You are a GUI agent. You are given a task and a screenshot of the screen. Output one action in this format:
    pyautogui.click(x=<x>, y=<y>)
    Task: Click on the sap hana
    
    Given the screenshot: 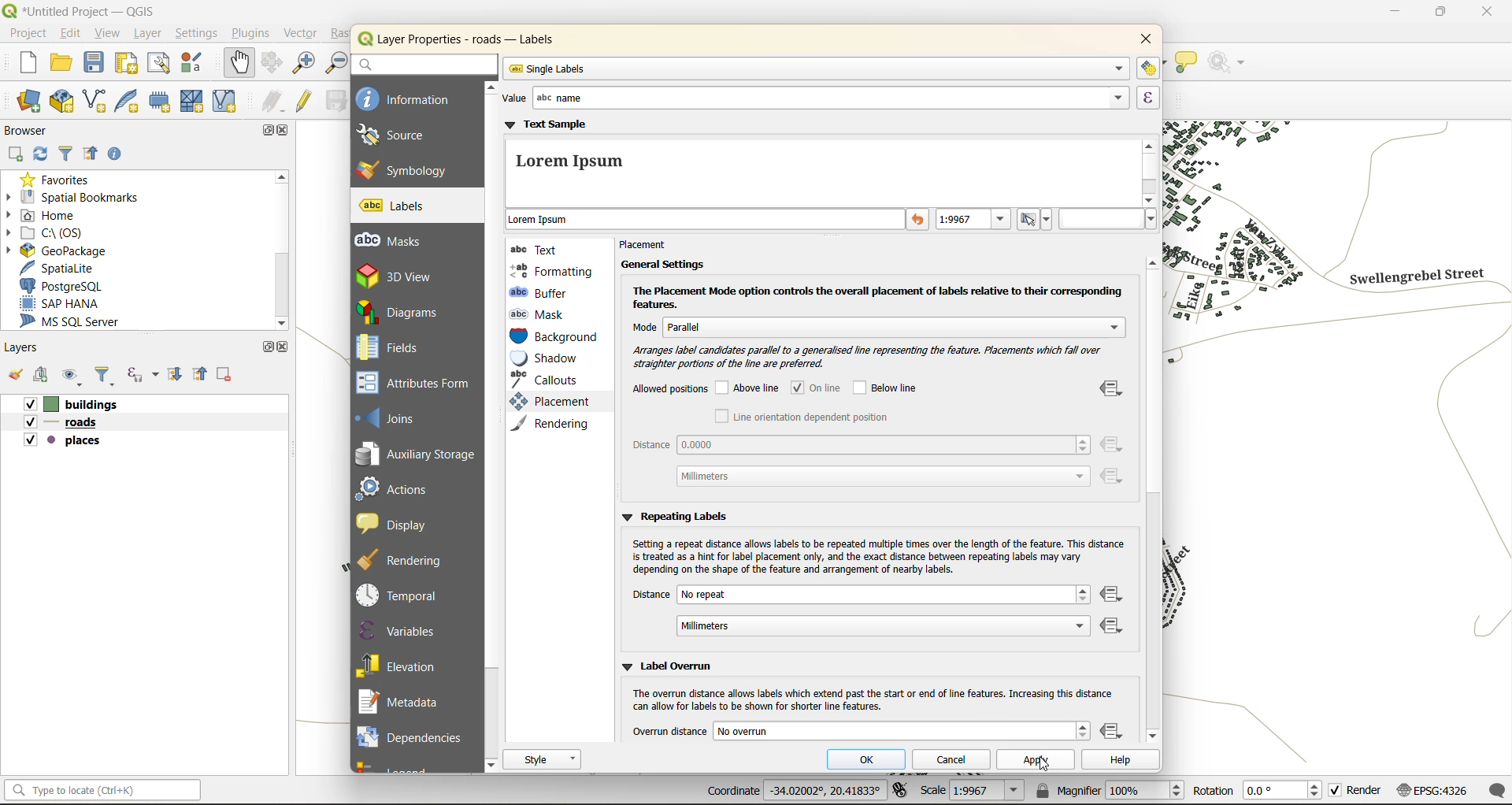 What is the action you would take?
    pyautogui.click(x=61, y=304)
    